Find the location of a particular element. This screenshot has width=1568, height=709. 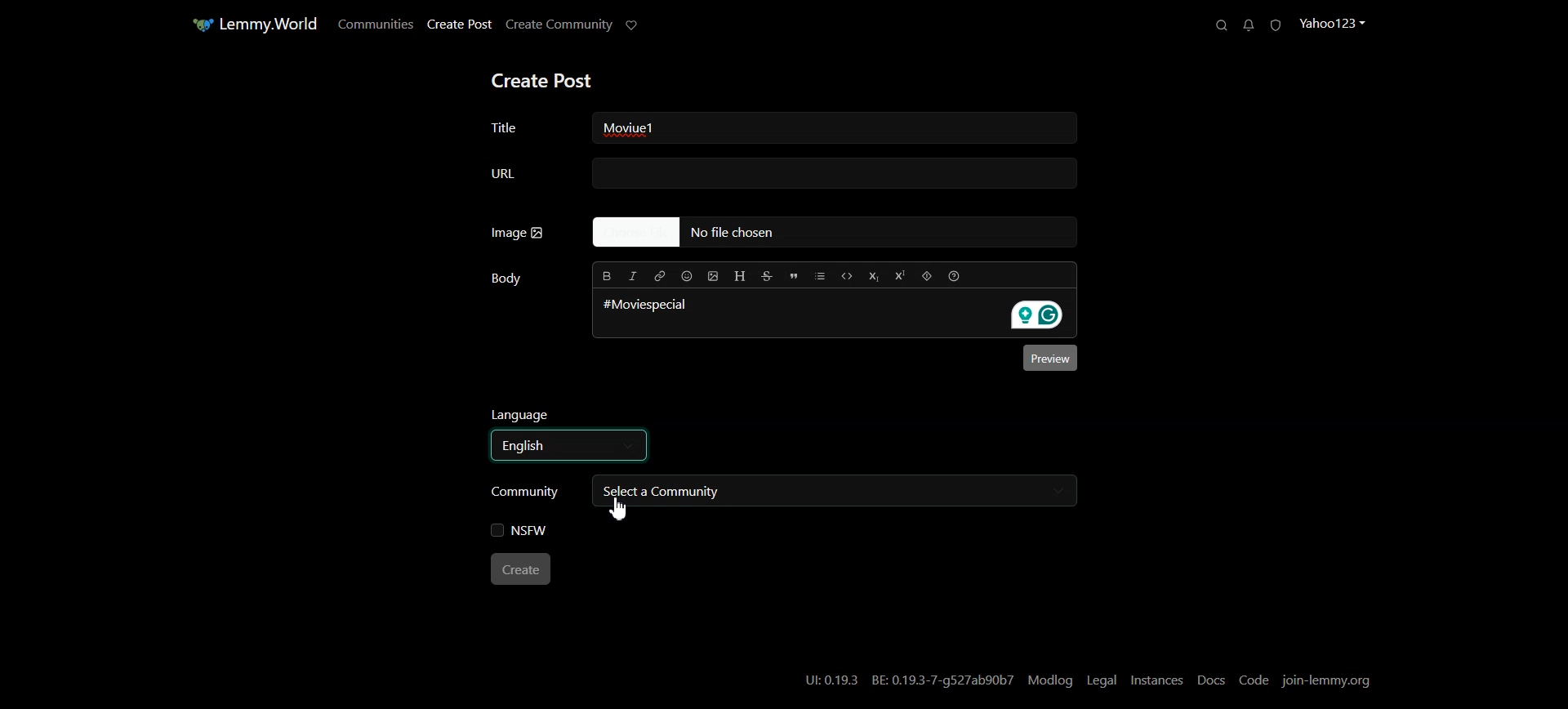

Typing window is located at coordinates (783, 381).